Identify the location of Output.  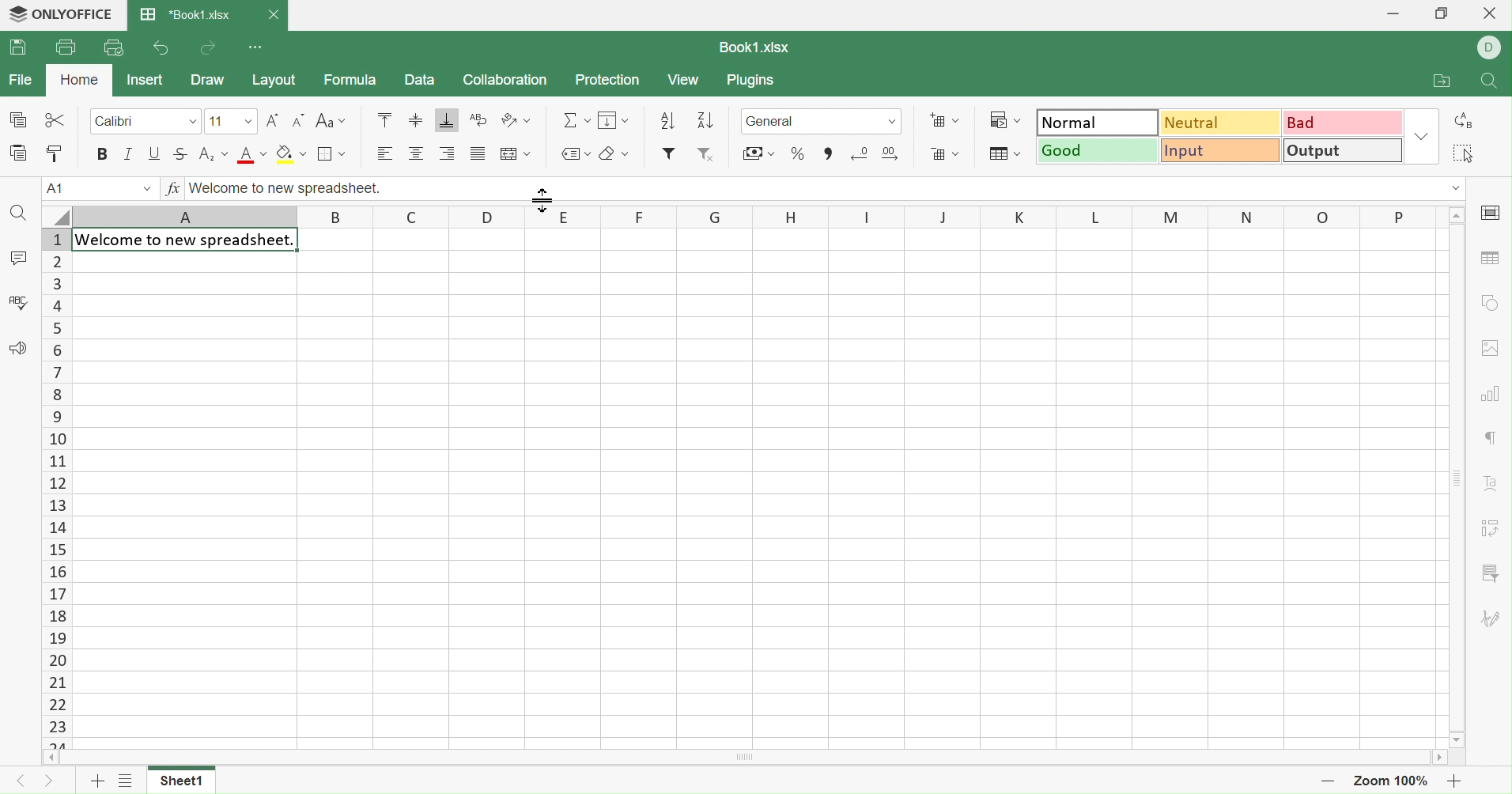
(1345, 149).